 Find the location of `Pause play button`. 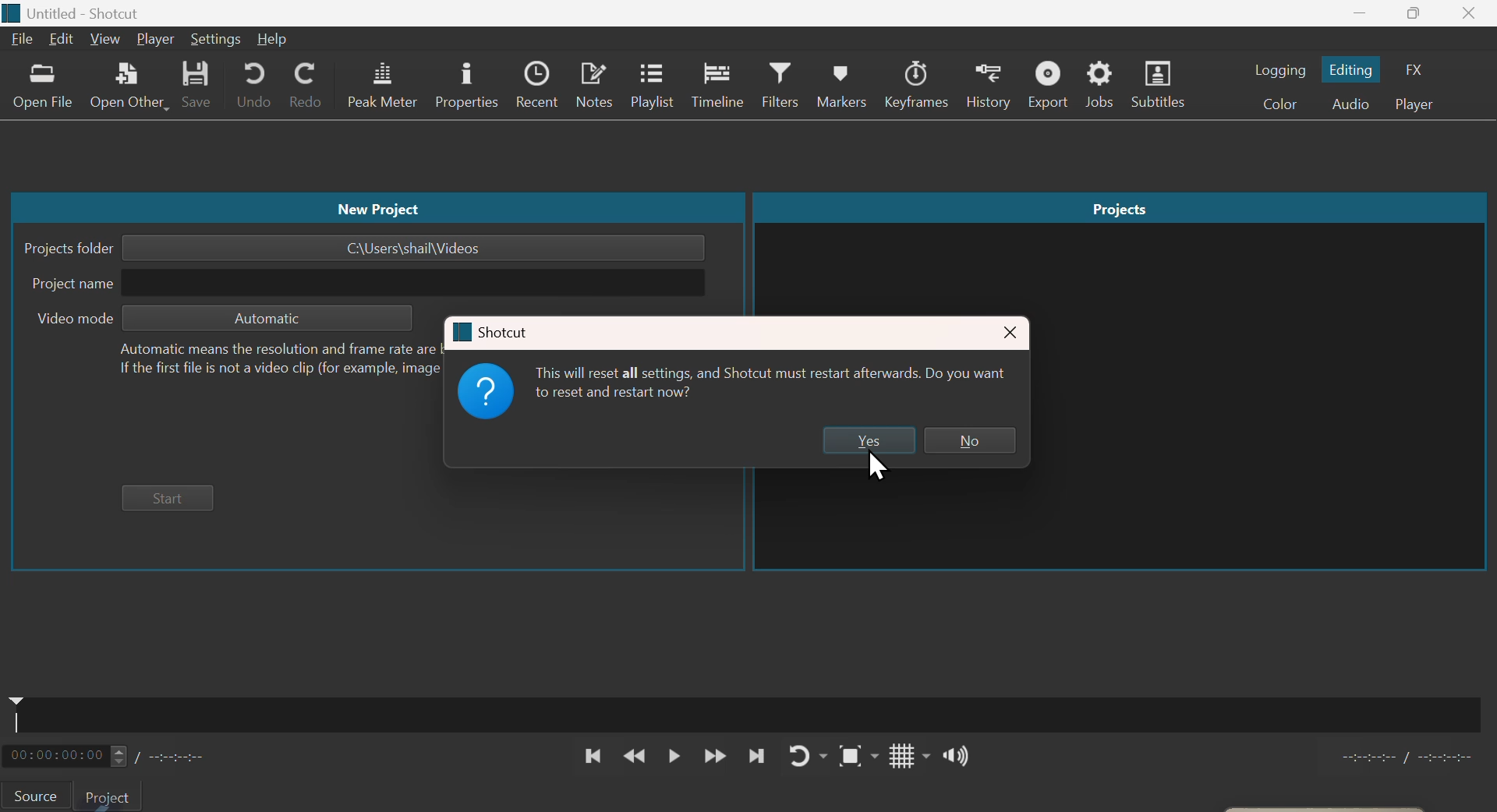

Pause play button is located at coordinates (675, 757).